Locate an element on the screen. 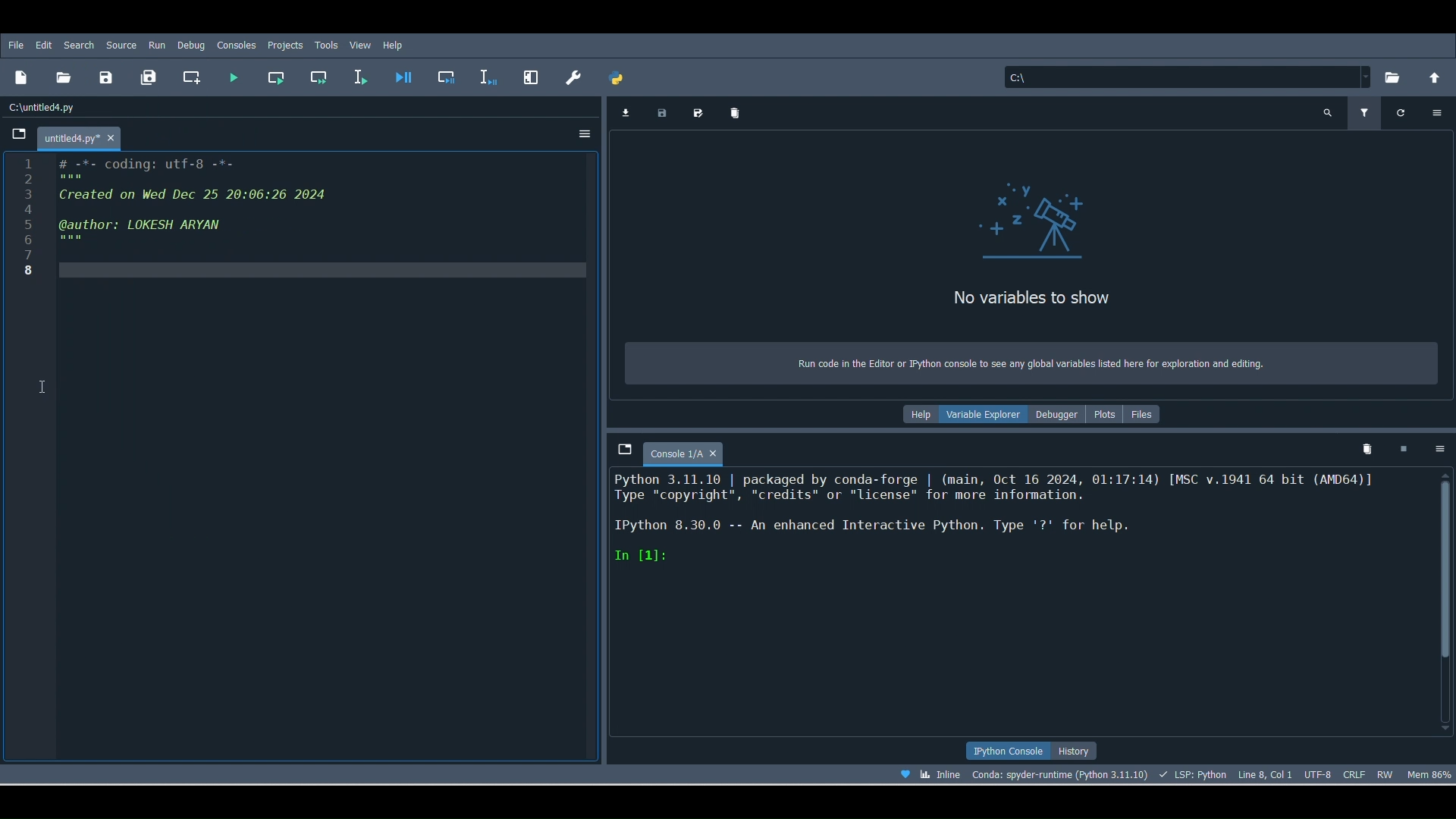  Browse a working directory is located at coordinates (1392, 78).